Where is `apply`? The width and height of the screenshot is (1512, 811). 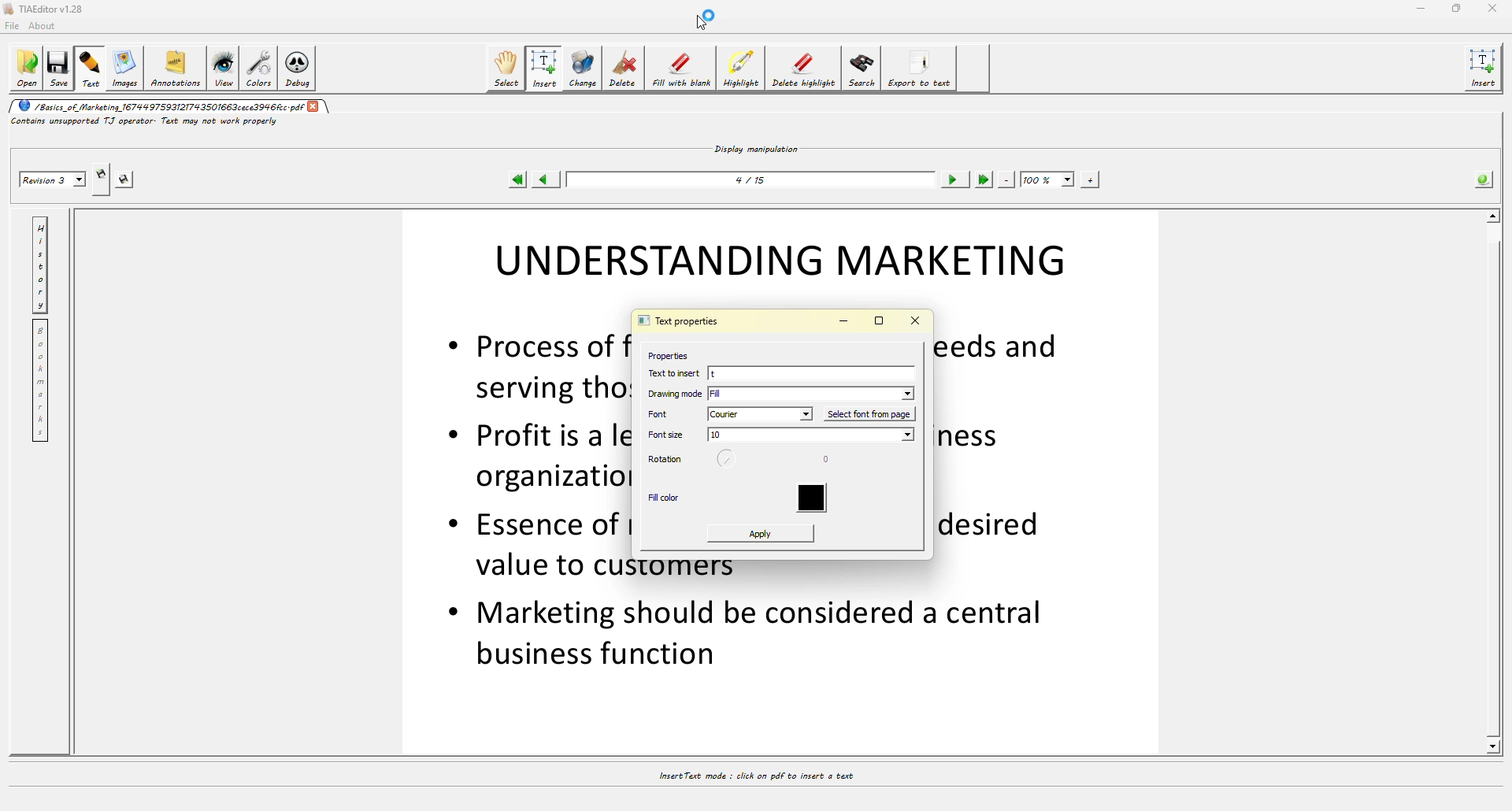 apply is located at coordinates (760, 528).